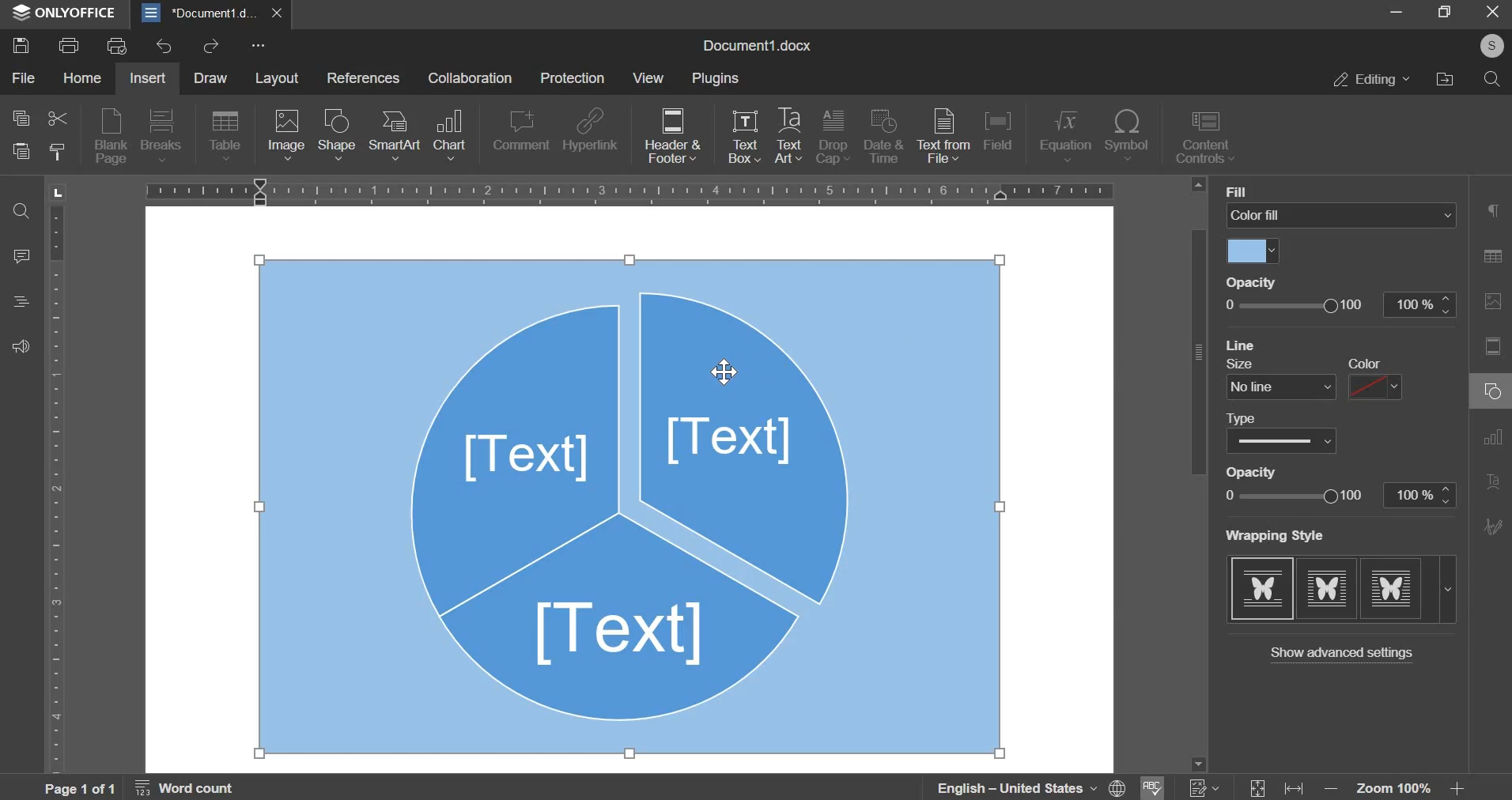 This screenshot has width=1512, height=800. What do you see at coordinates (1264, 281) in the screenshot?
I see `` at bounding box center [1264, 281].